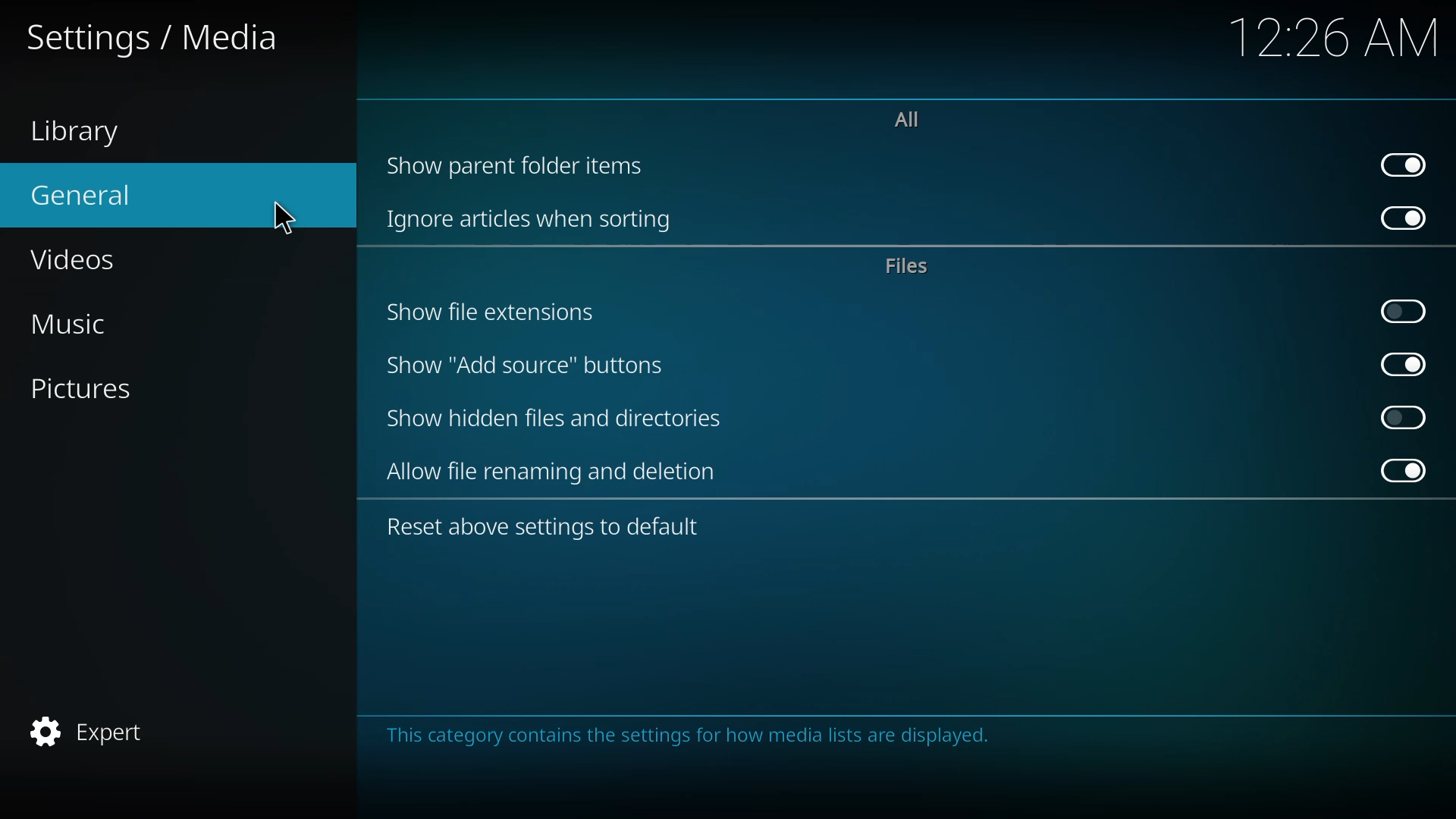  What do you see at coordinates (519, 164) in the screenshot?
I see `show parent folder items` at bounding box center [519, 164].